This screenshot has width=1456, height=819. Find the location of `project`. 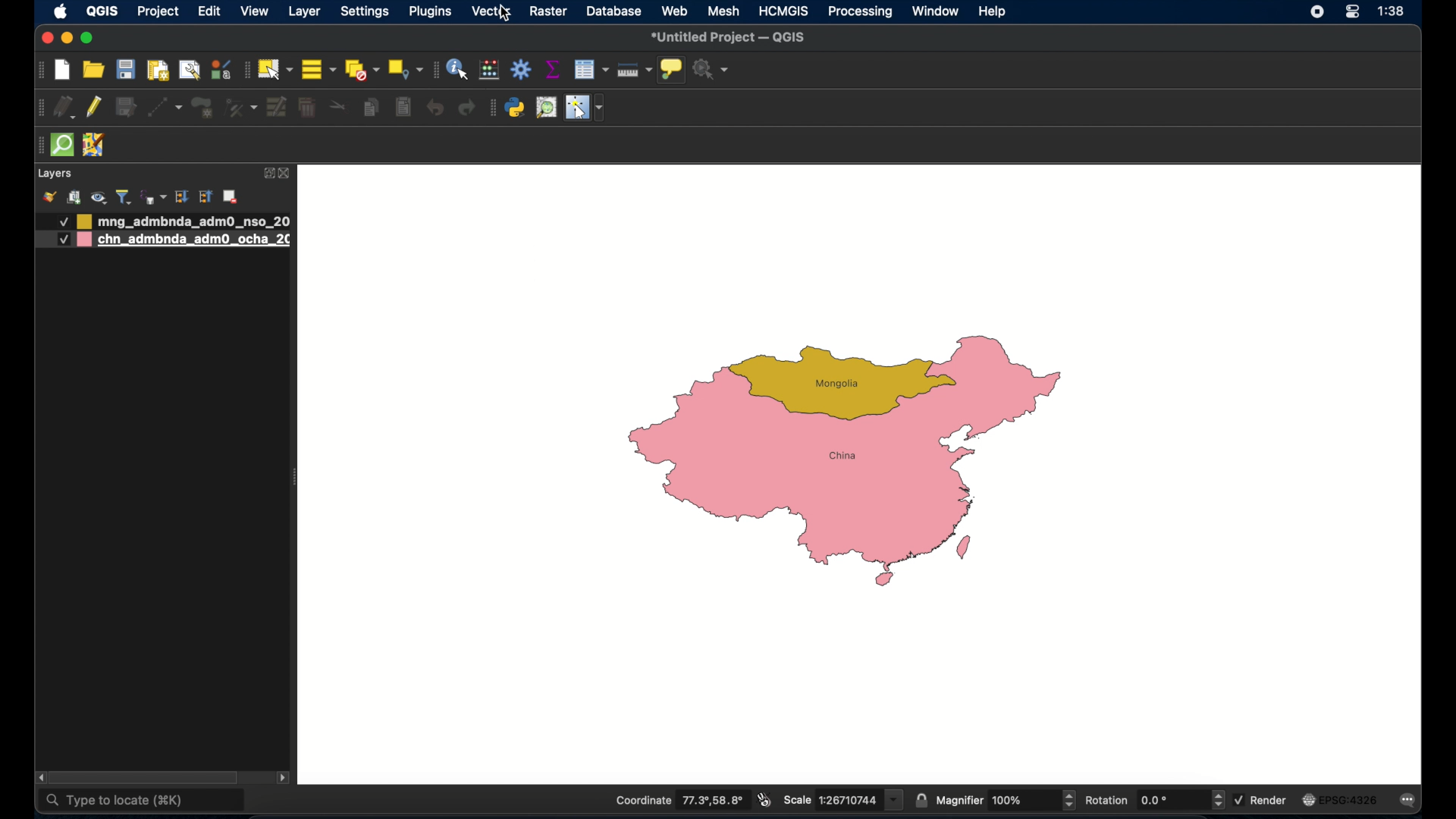

project is located at coordinates (156, 13).